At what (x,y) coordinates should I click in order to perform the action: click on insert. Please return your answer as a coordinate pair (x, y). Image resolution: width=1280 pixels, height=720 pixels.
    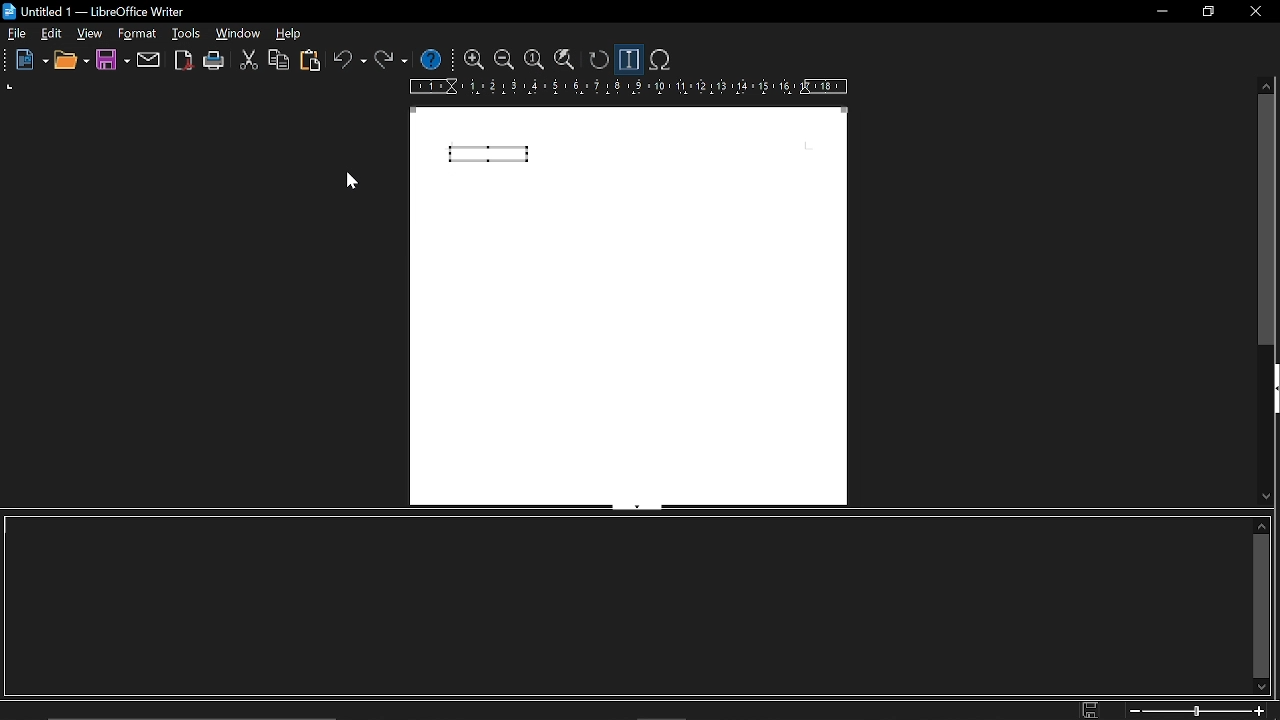
    Looking at the image, I should click on (133, 34).